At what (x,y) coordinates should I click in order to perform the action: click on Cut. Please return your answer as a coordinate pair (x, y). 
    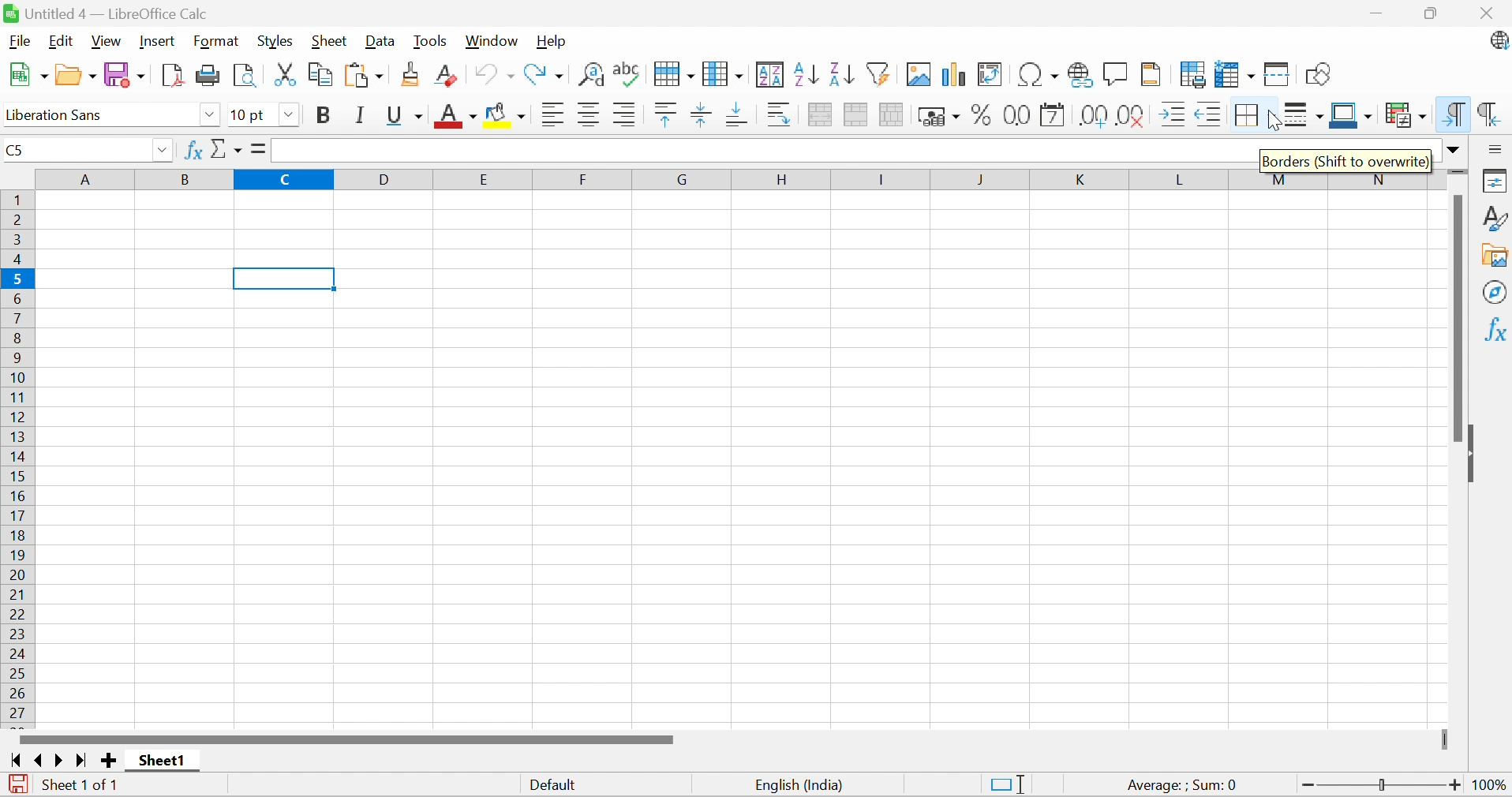
    Looking at the image, I should click on (285, 75).